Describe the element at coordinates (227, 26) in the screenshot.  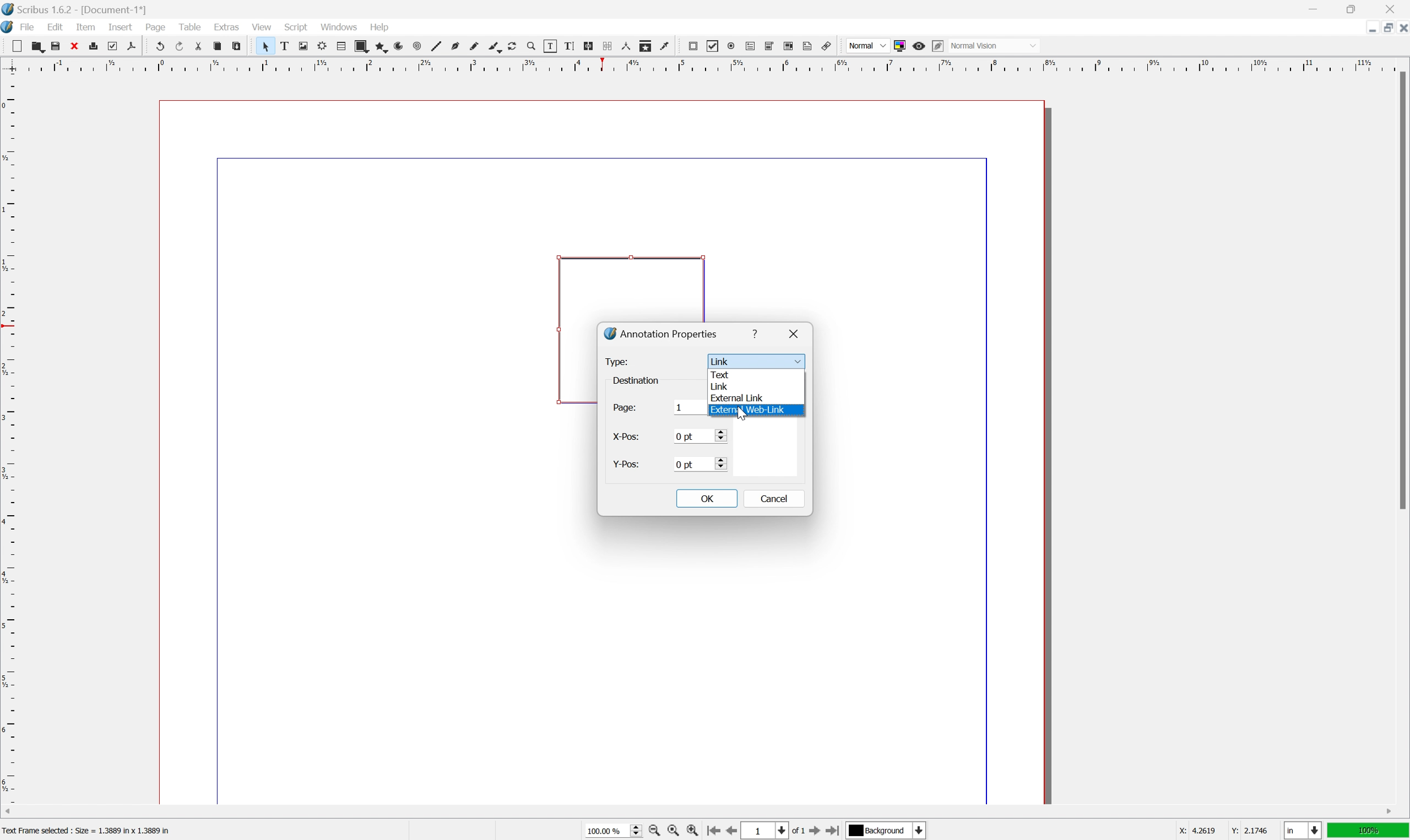
I see `extras` at that location.